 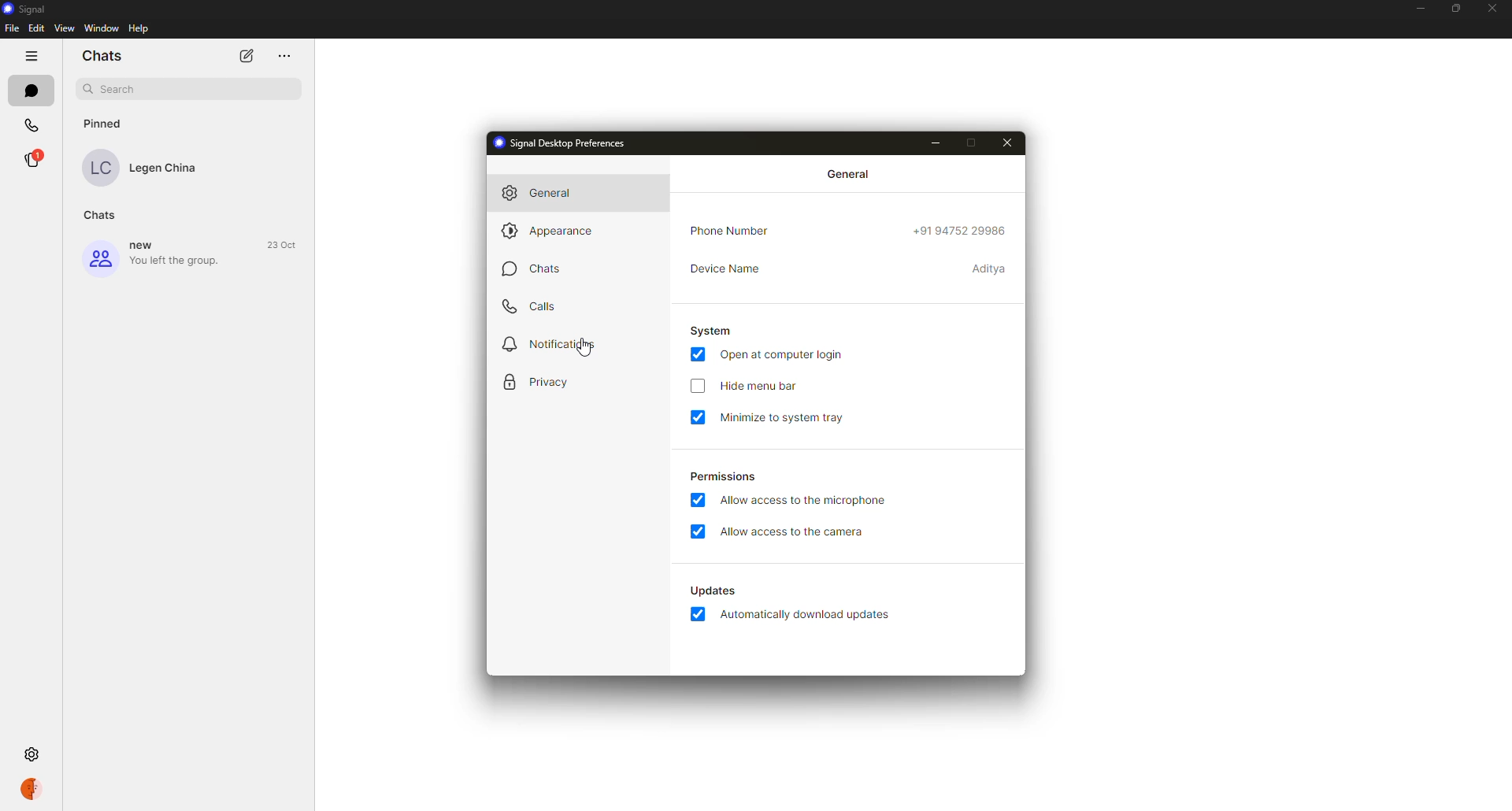 What do you see at coordinates (546, 381) in the screenshot?
I see `privacy` at bounding box center [546, 381].